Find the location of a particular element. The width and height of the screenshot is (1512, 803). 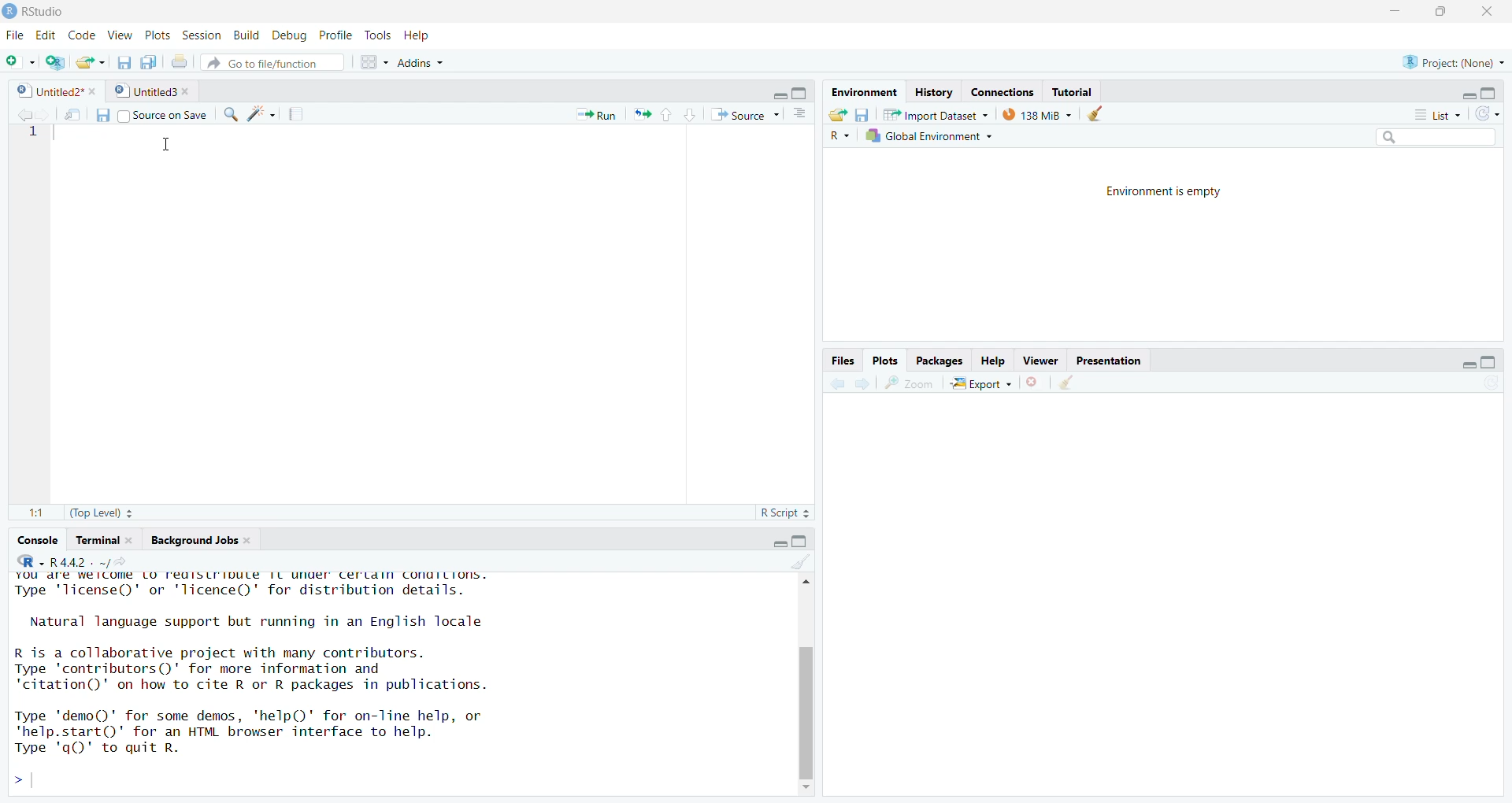

= List  is located at coordinates (1429, 113).